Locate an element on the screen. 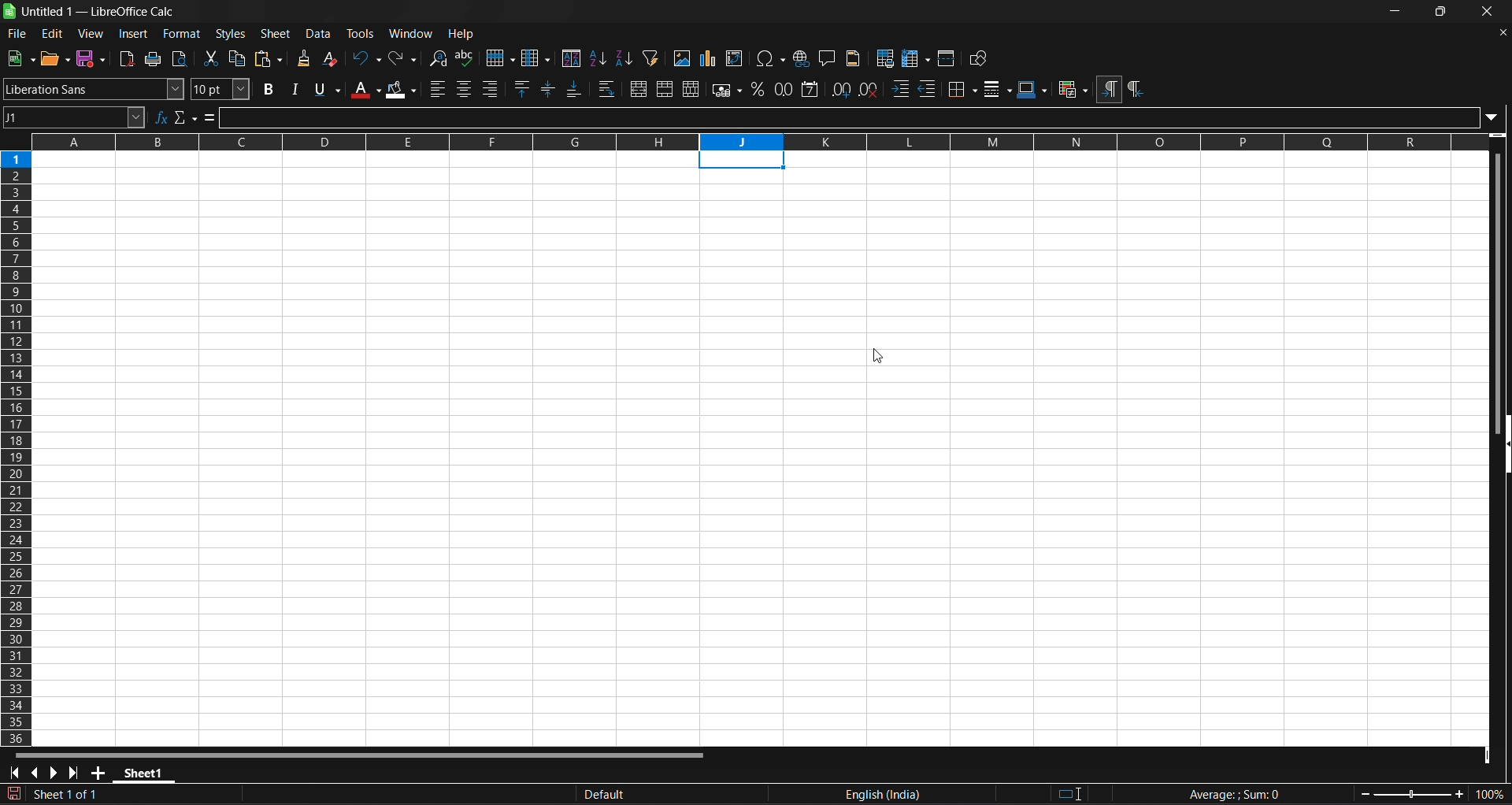  paste is located at coordinates (272, 60).